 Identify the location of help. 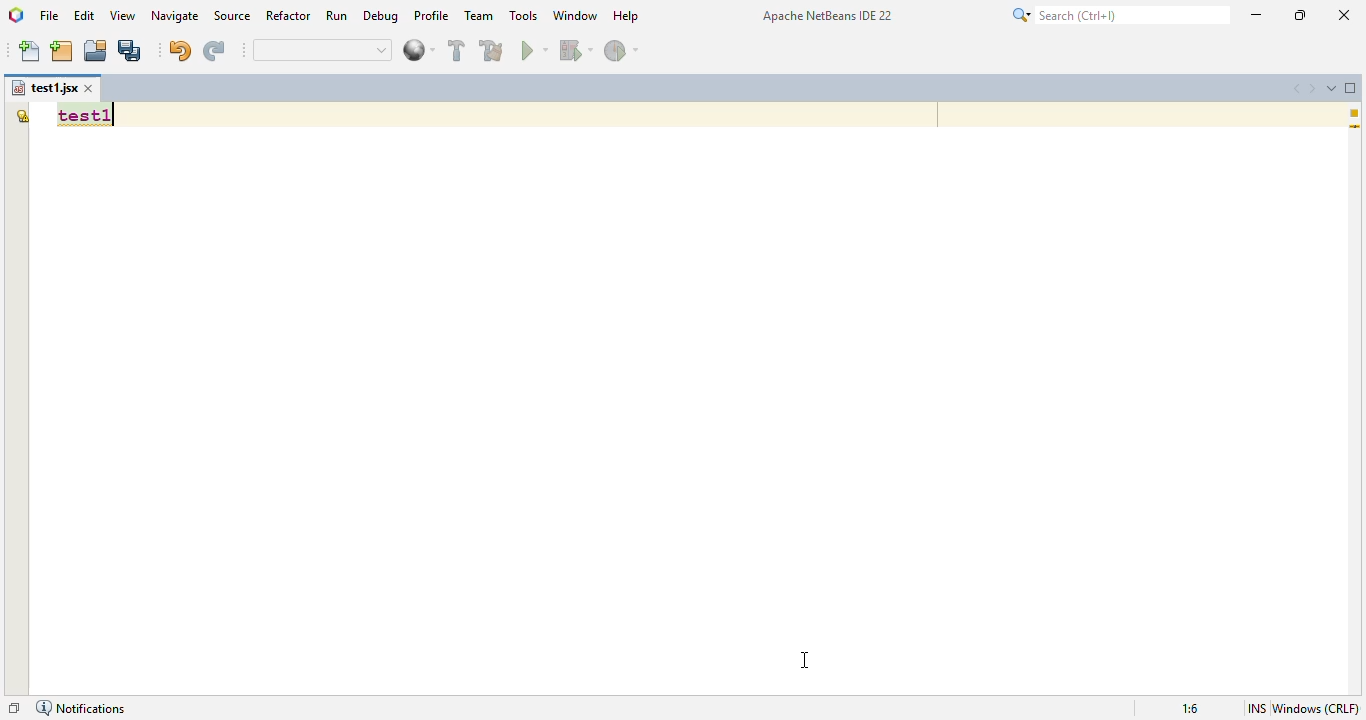
(626, 16).